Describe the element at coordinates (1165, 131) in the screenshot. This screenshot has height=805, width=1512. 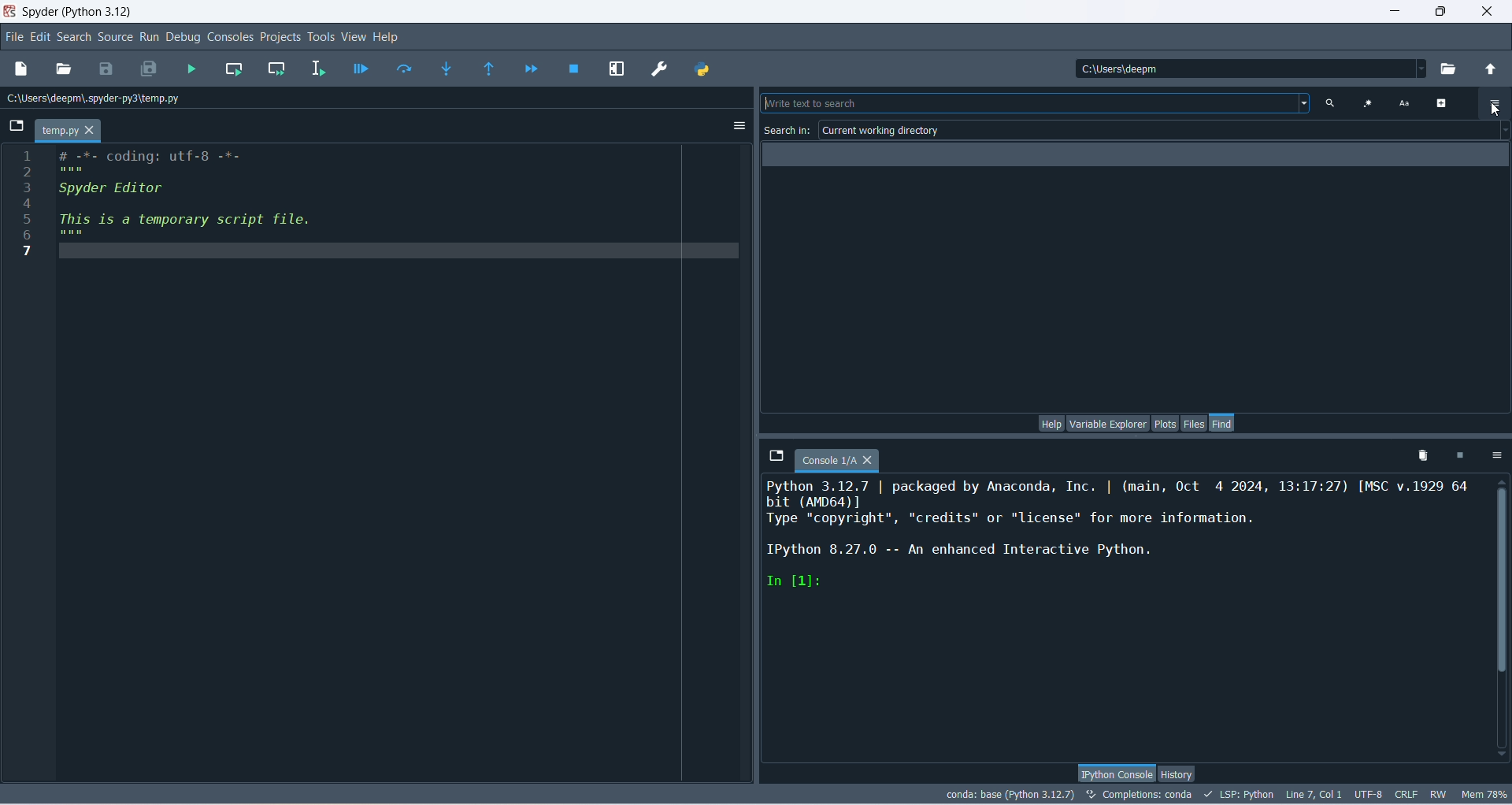
I see `current working directory` at that location.